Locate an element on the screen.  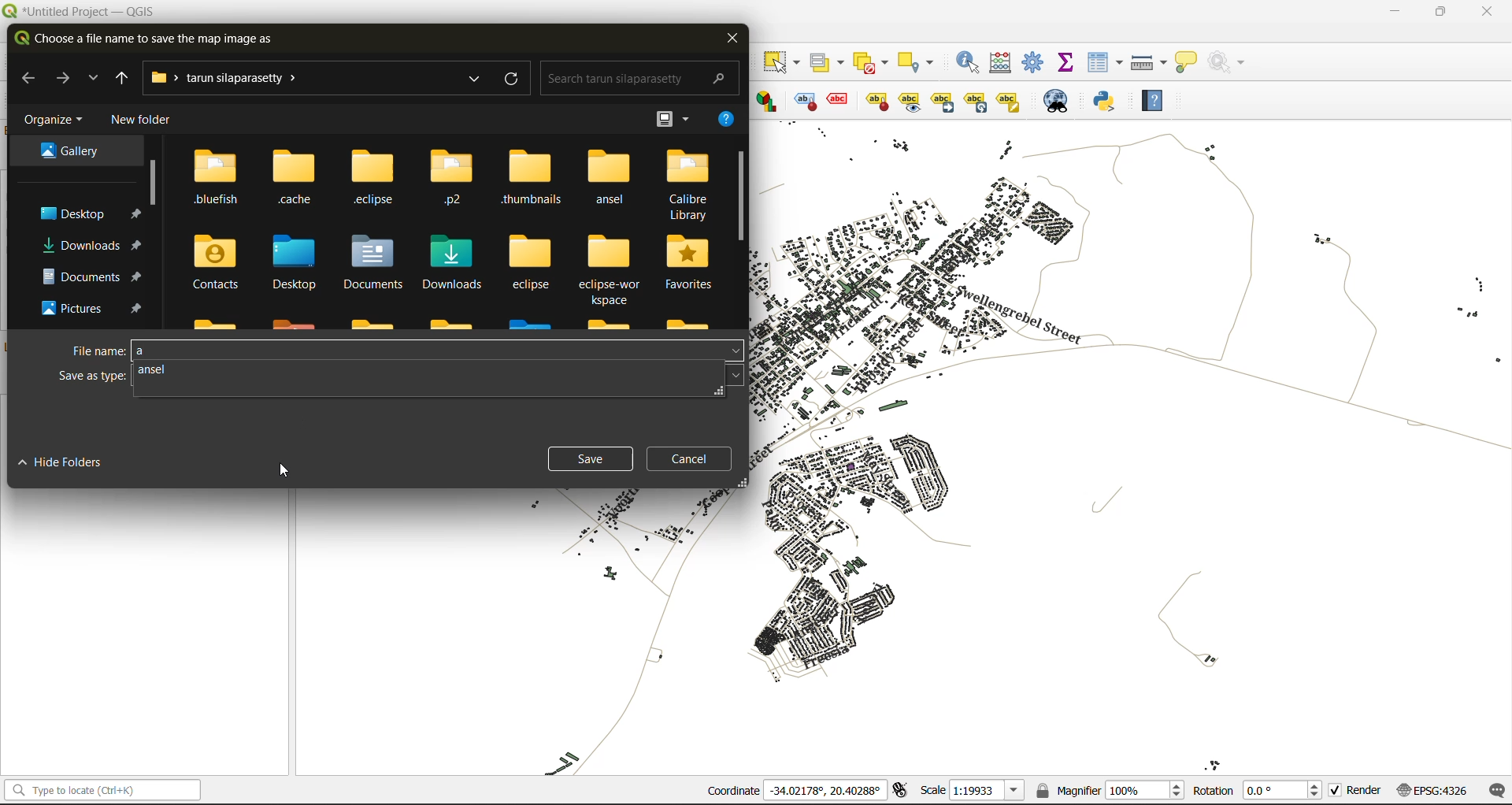
organize is located at coordinates (55, 119).